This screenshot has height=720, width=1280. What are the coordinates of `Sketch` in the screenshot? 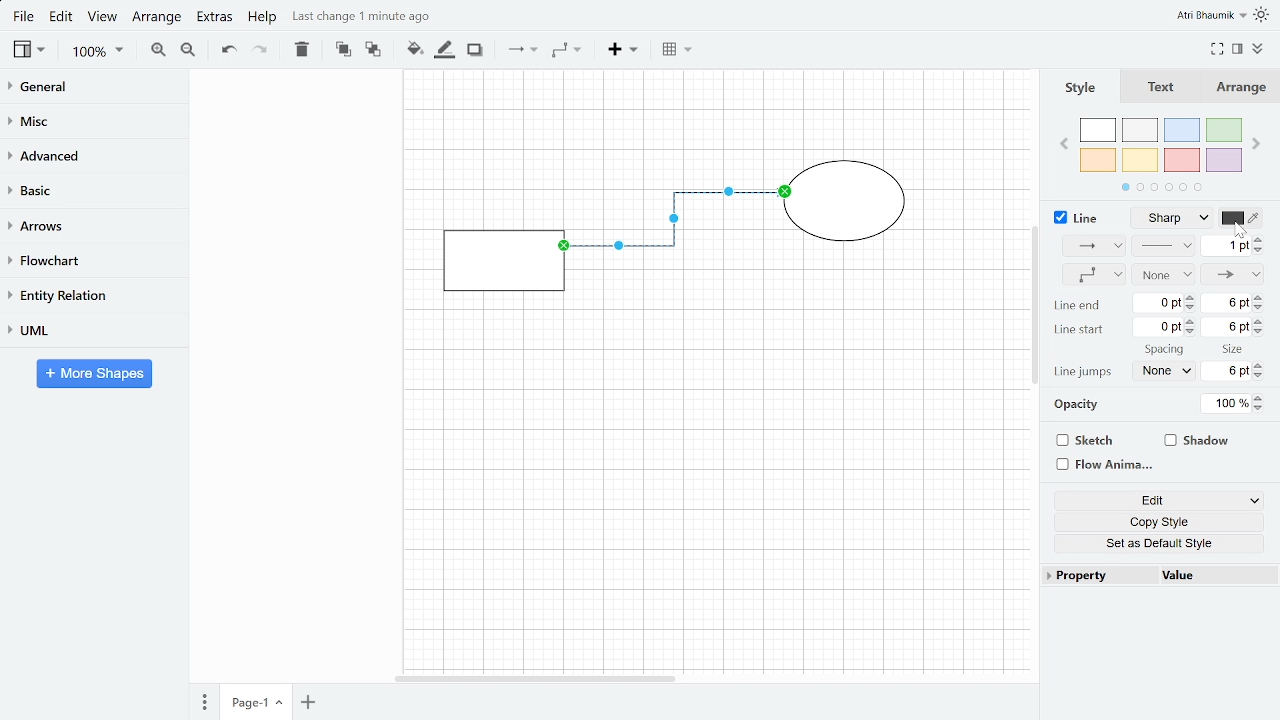 It's located at (1100, 440).